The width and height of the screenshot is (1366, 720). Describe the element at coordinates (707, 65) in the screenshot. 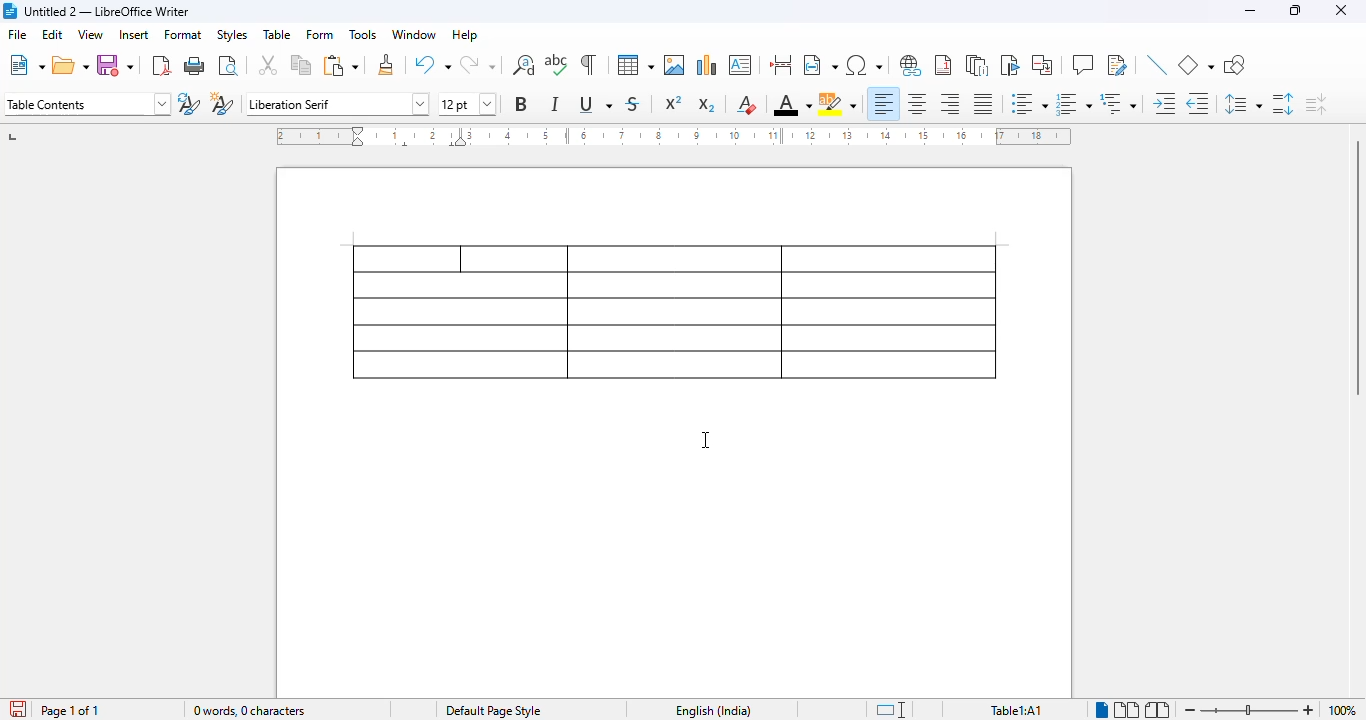

I see `insert chart` at that location.